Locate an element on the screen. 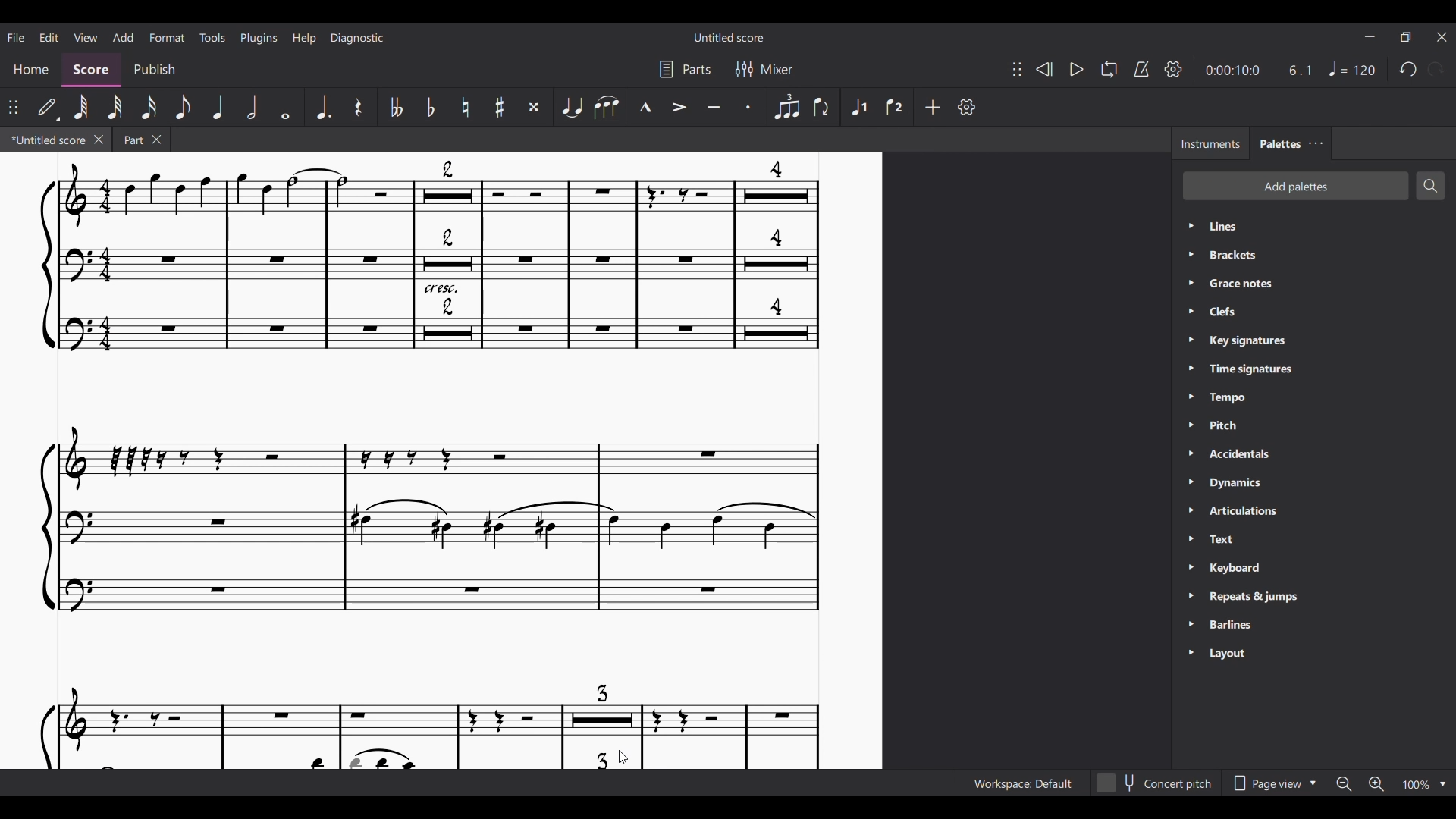  32nd note is located at coordinates (116, 107).